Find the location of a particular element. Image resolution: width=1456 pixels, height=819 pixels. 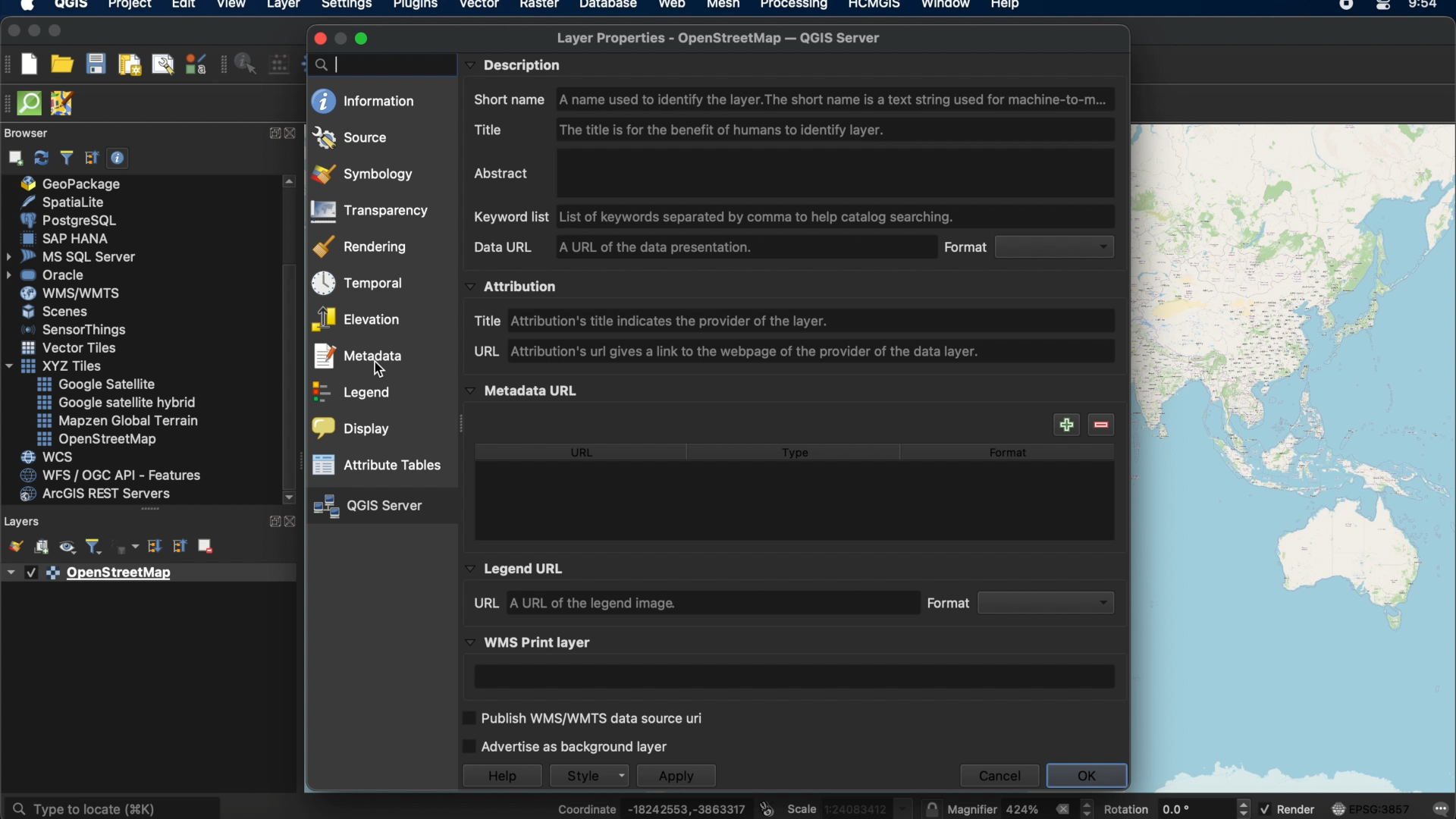

close is located at coordinates (11, 31).